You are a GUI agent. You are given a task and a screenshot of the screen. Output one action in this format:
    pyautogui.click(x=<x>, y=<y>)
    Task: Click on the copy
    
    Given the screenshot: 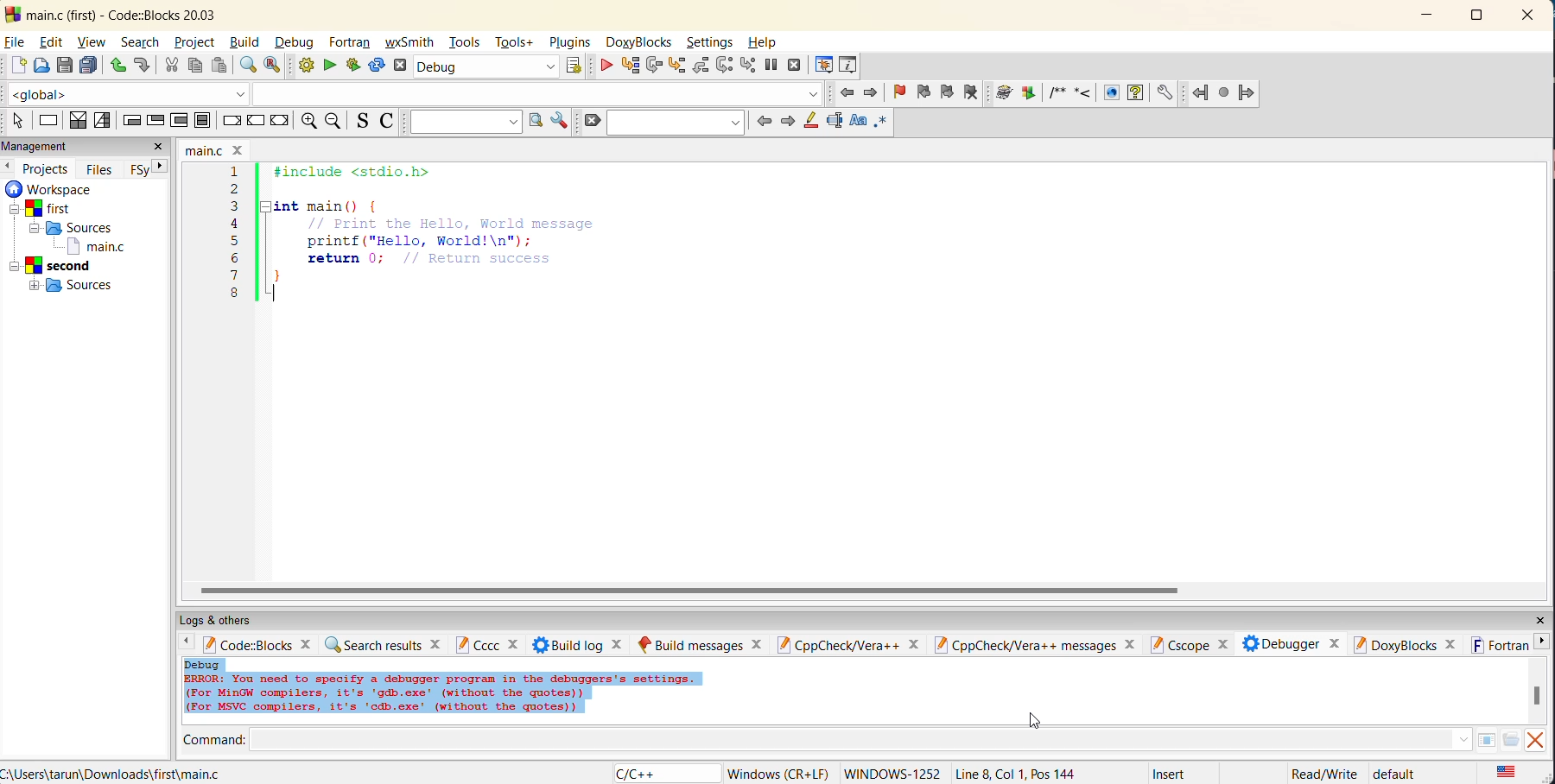 What is the action you would take?
    pyautogui.click(x=197, y=66)
    